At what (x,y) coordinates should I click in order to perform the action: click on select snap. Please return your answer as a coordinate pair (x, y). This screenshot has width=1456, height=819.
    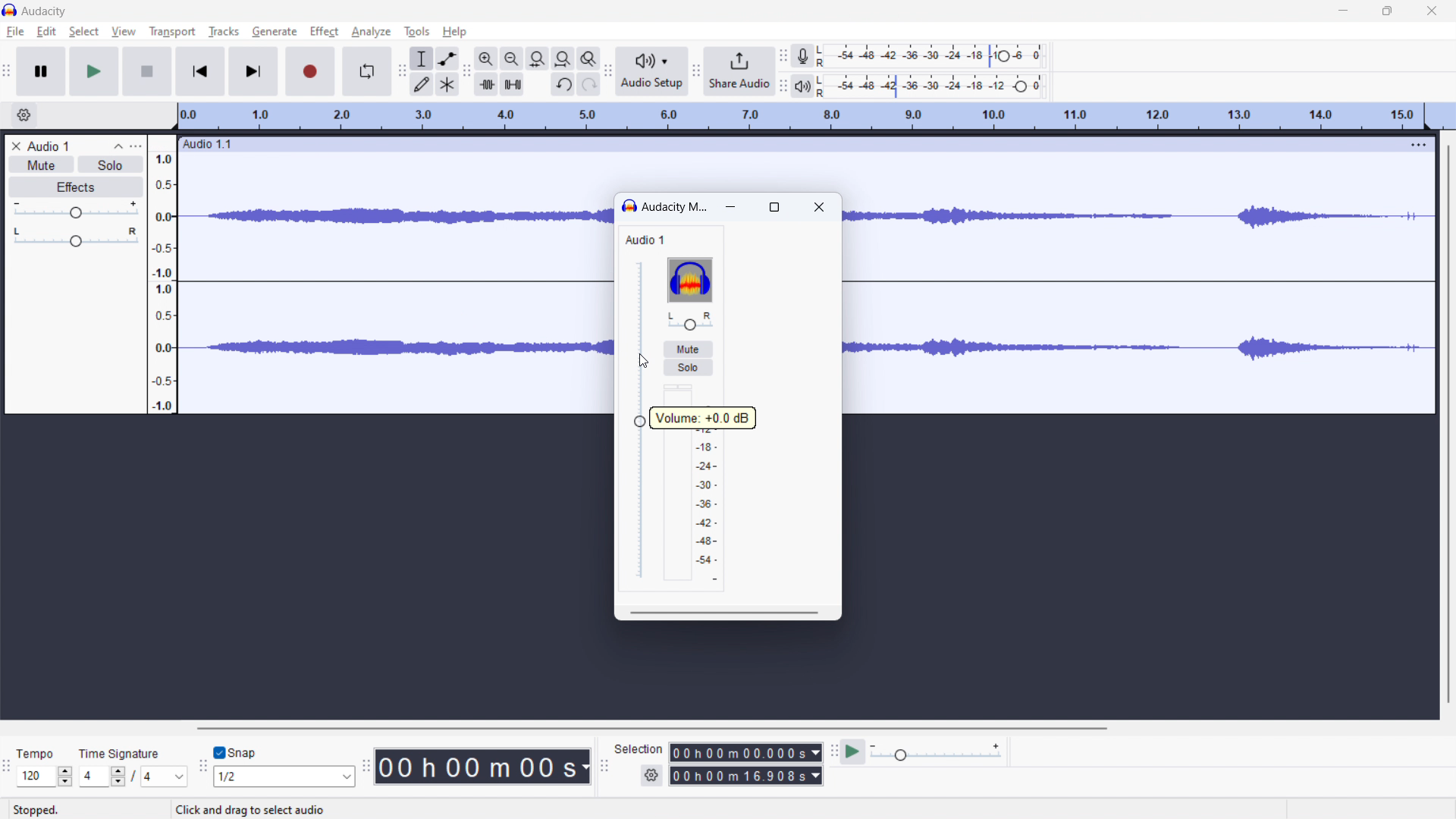
    Looking at the image, I should click on (284, 777).